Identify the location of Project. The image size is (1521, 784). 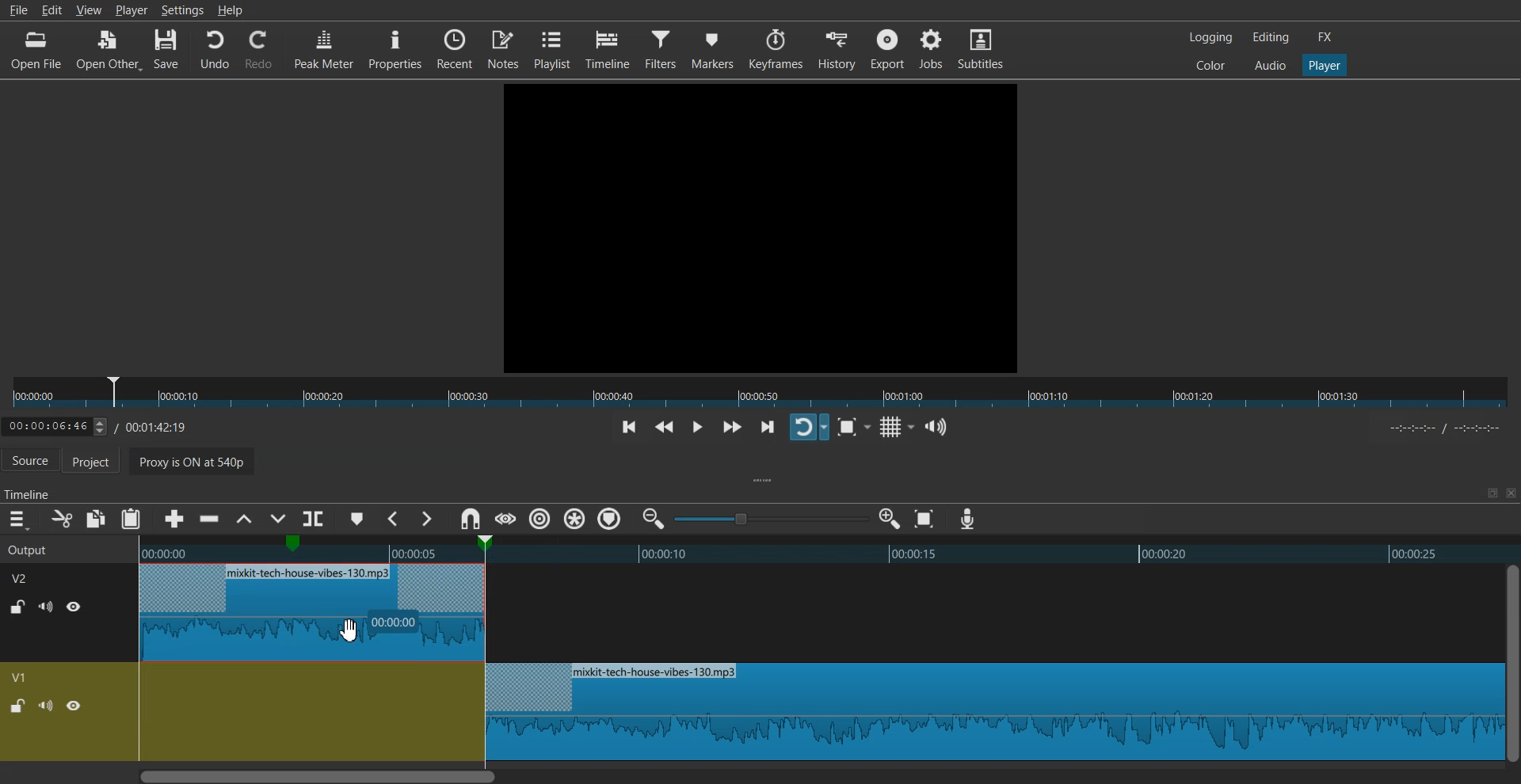
(99, 462).